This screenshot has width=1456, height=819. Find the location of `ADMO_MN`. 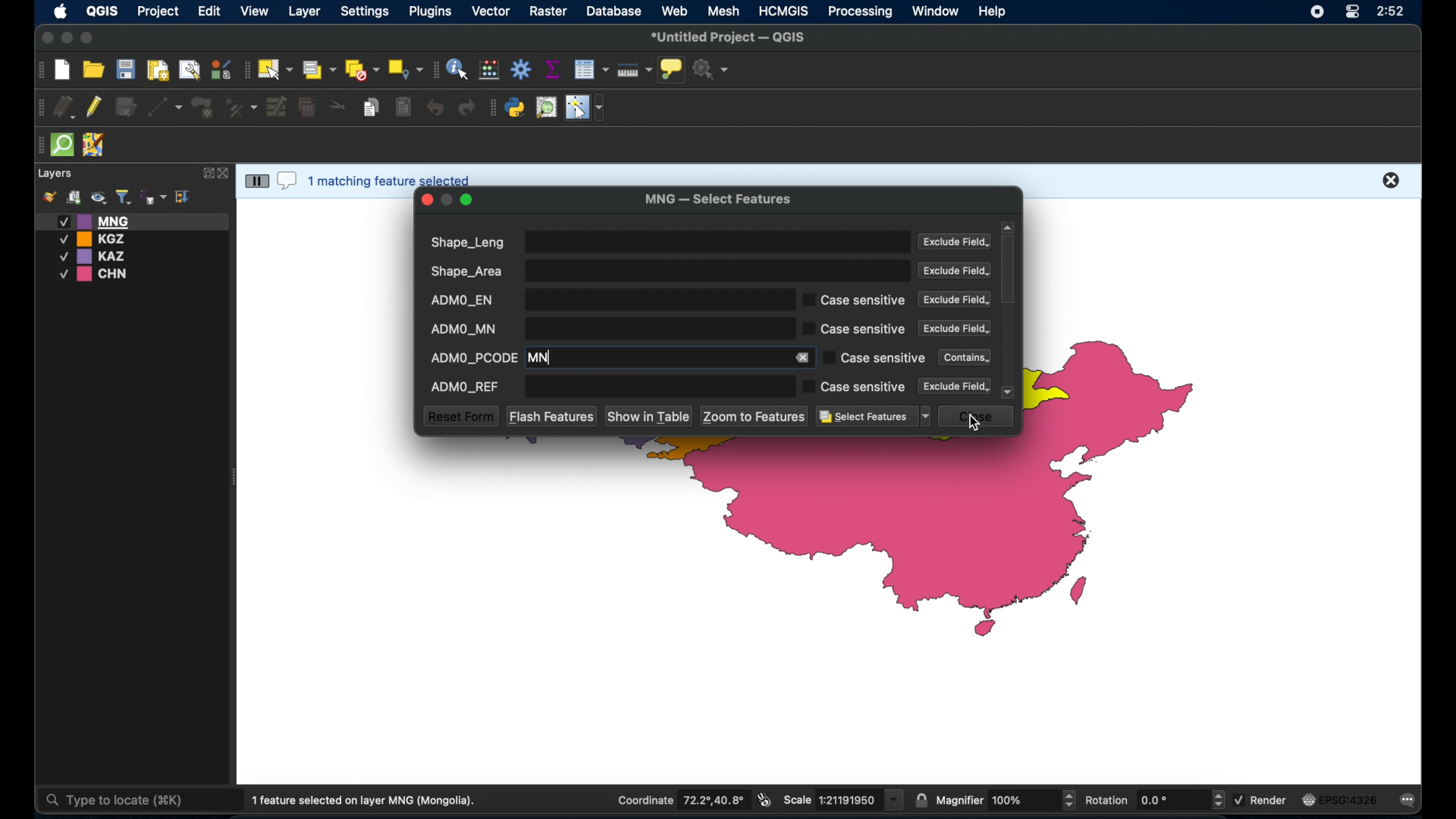

ADMO_MN is located at coordinates (606, 328).